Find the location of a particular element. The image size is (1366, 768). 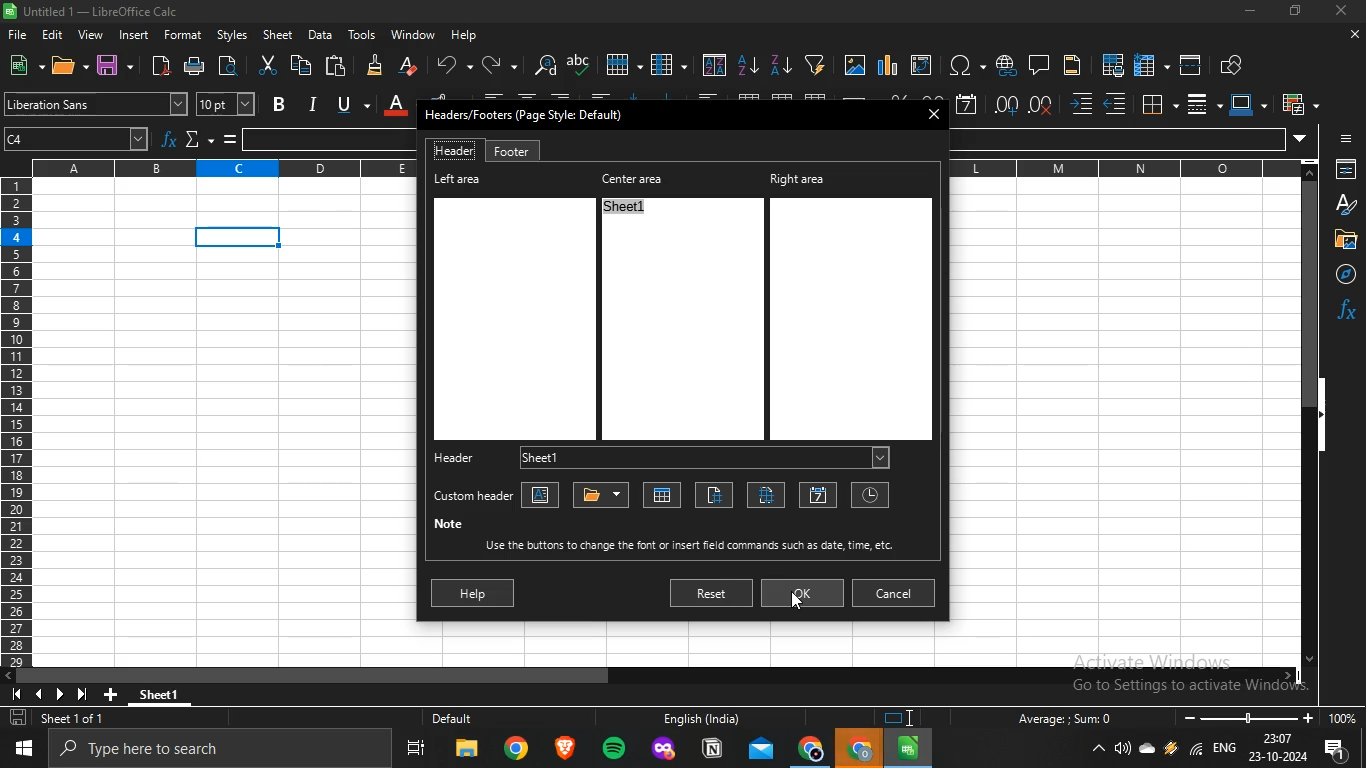

Average: : Sum: 0 is located at coordinates (1057, 718).